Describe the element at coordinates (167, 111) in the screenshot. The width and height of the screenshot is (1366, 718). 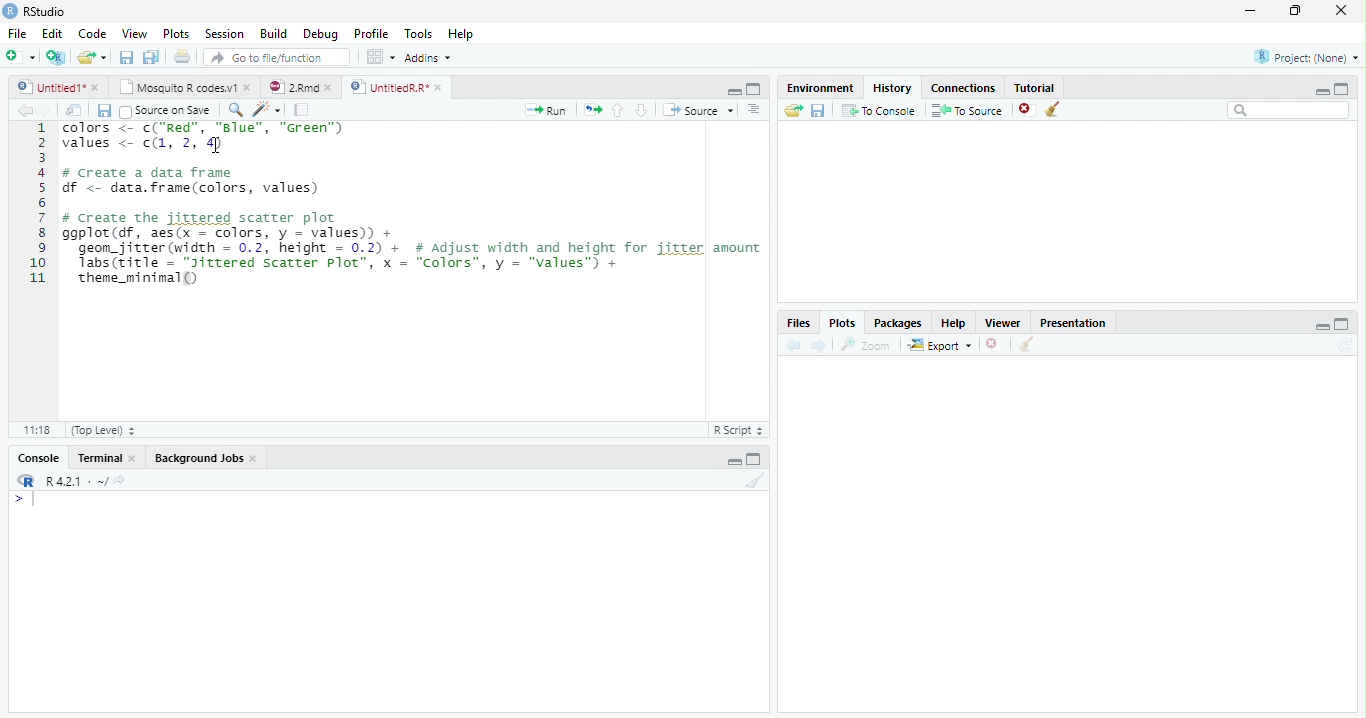
I see `Source on Save` at that location.